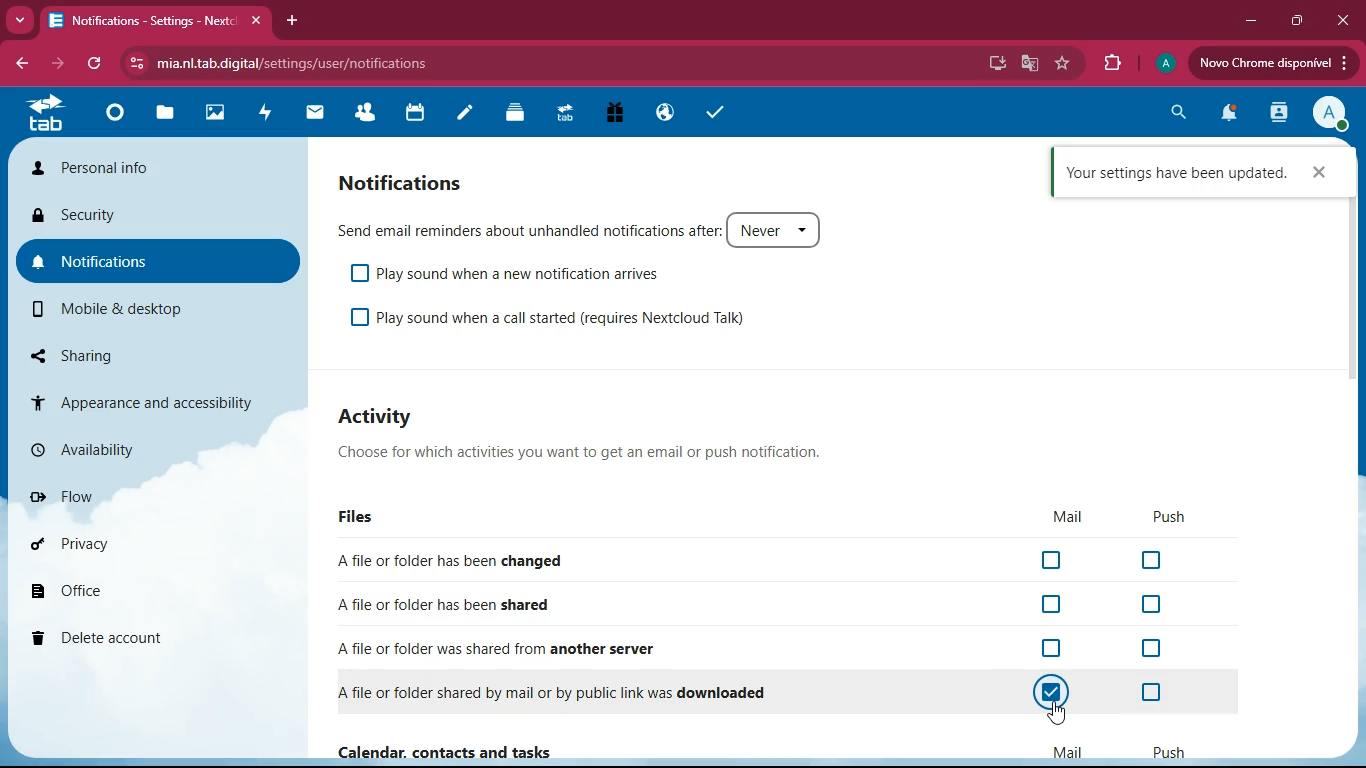 Image resolution: width=1366 pixels, height=768 pixels. What do you see at coordinates (593, 229) in the screenshot?
I see `send email` at bounding box center [593, 229].